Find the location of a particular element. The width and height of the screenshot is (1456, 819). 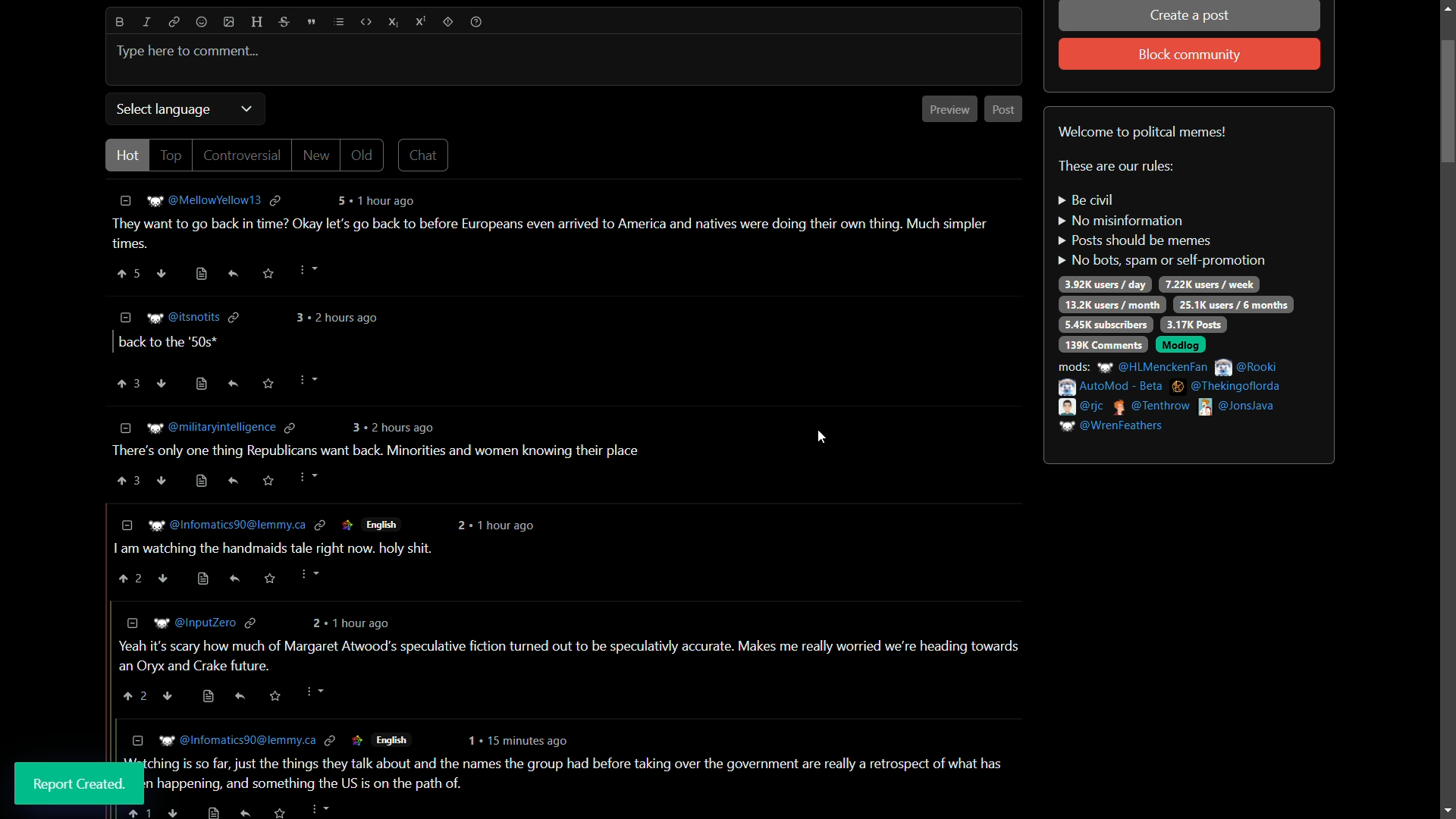

comment-4 is located at coordinates (322, 553).